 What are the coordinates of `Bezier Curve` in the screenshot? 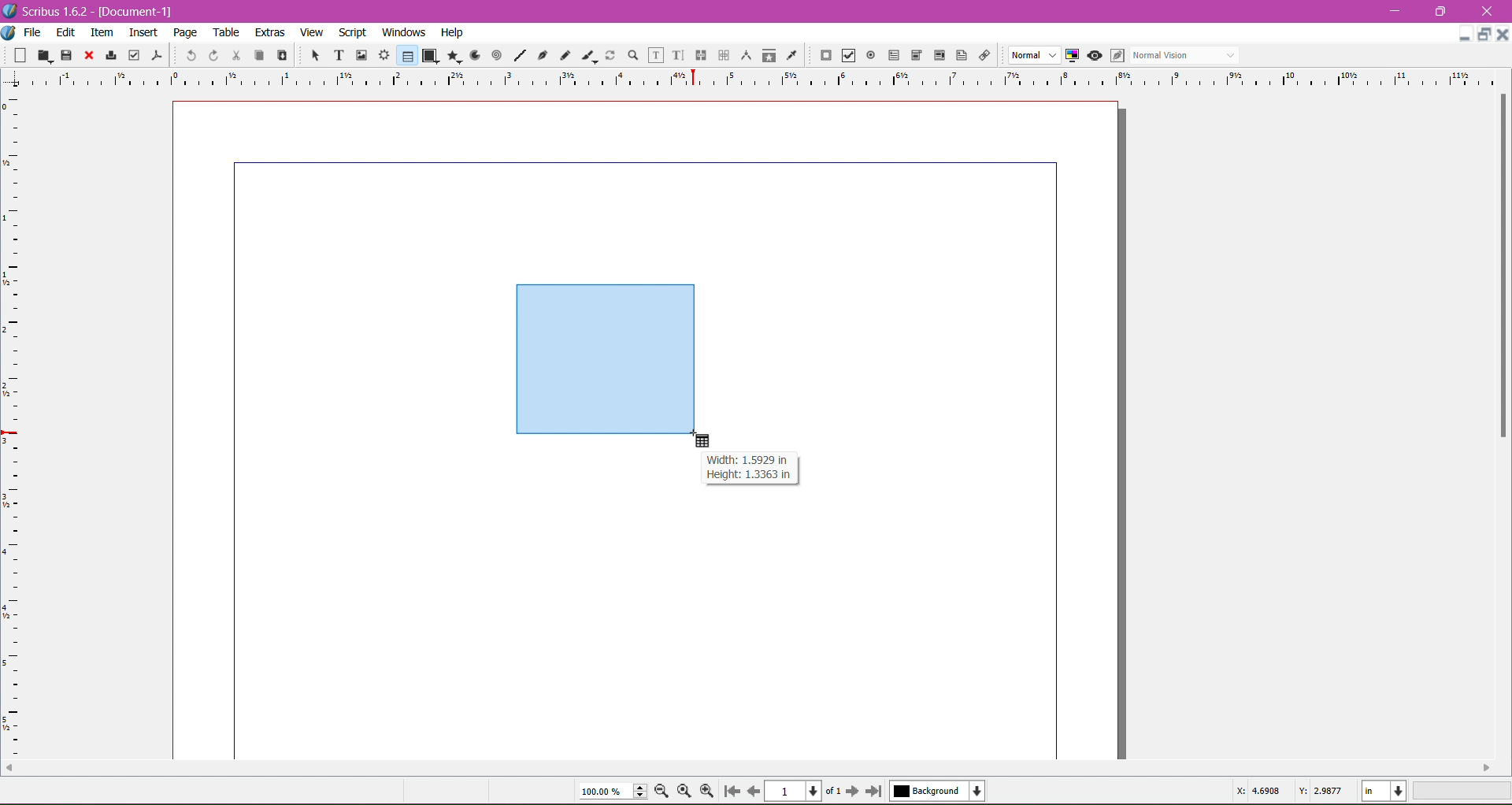 It's located at (541, 54).